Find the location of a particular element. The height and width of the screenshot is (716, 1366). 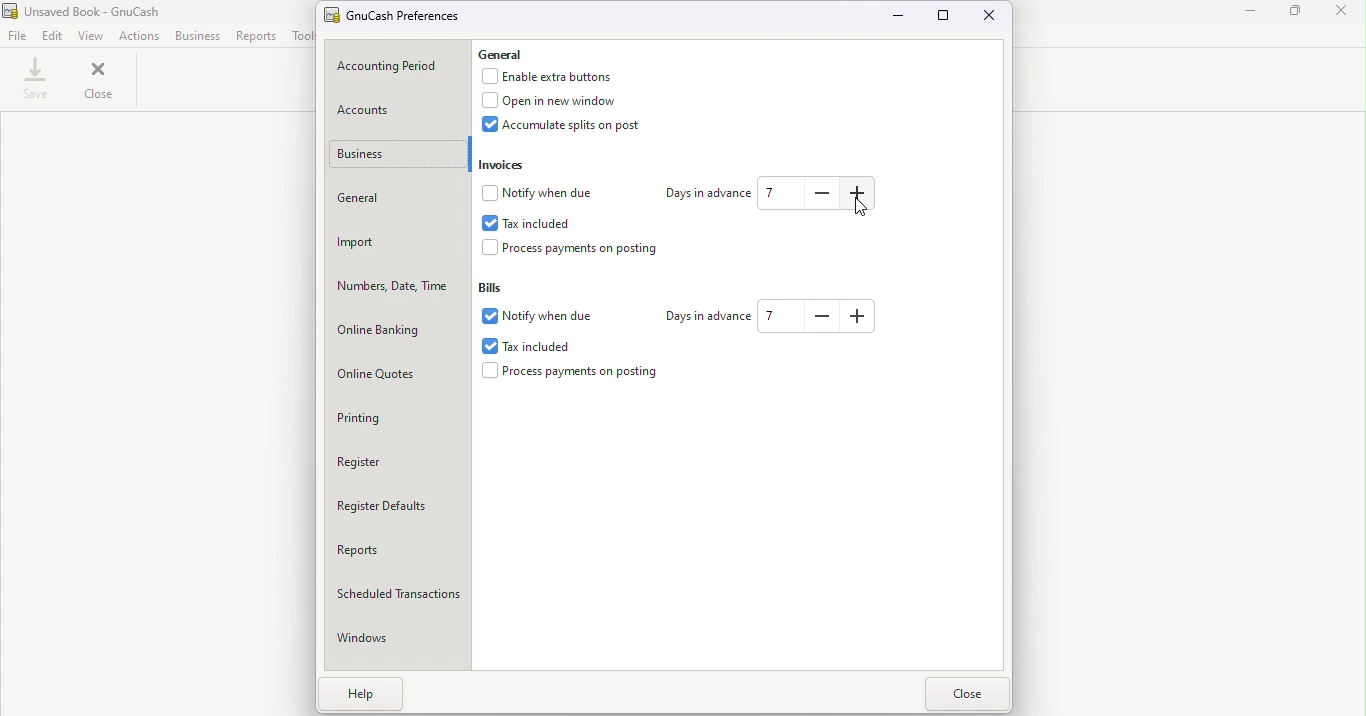

Bills is located at coordinates (496, 286).